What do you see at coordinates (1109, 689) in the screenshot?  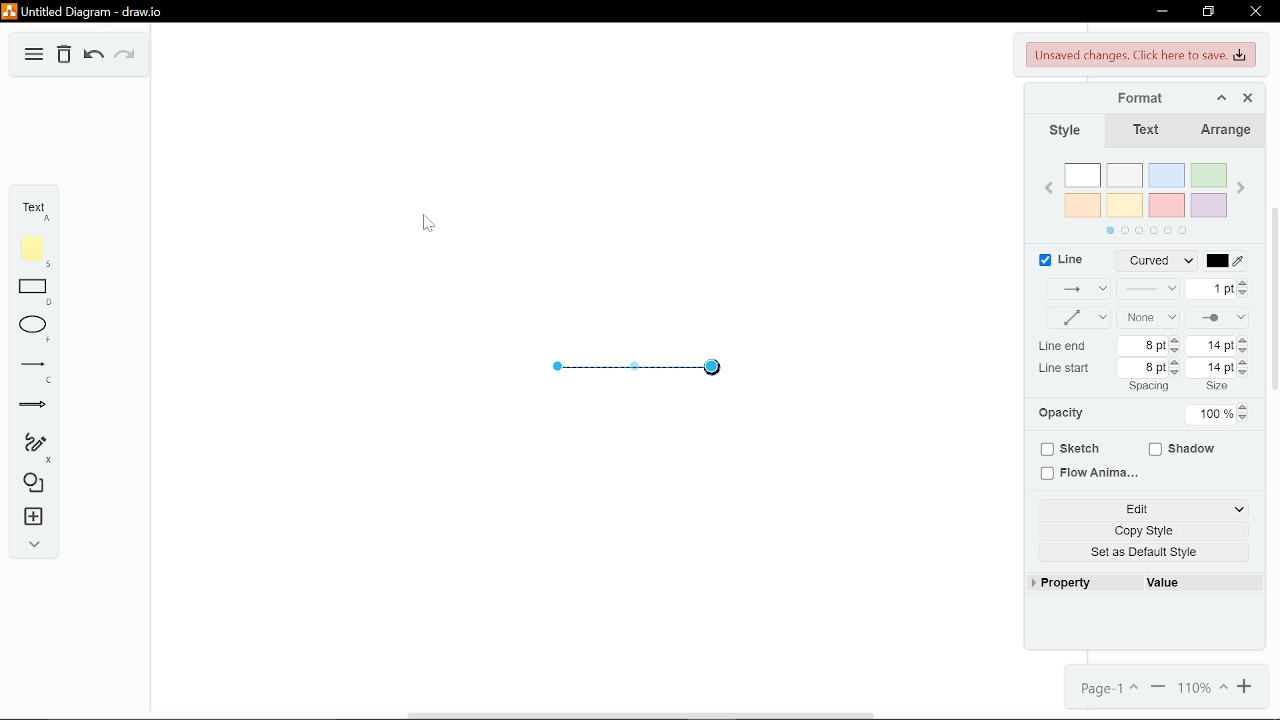 I see `Page 1` at bounding box center [1109, 689].